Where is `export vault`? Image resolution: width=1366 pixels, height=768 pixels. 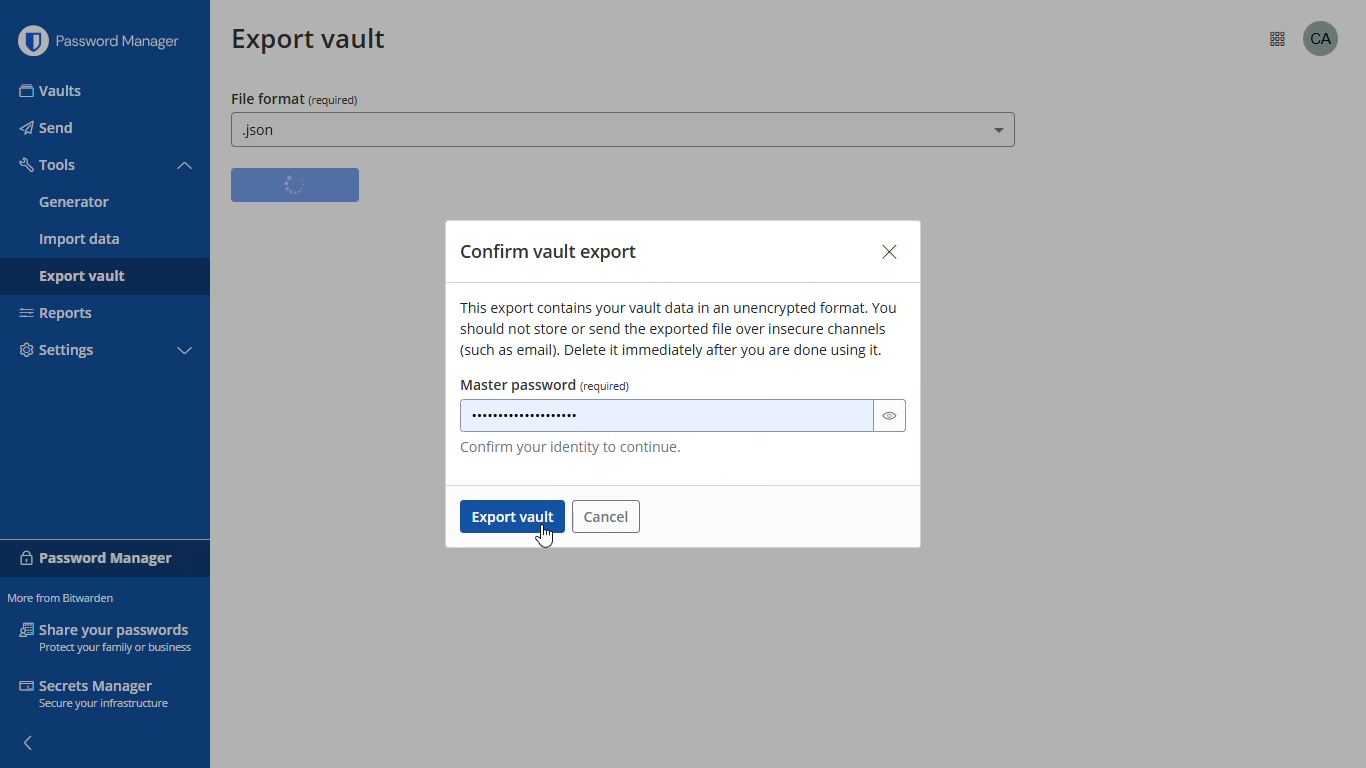
export vault is located at coordinates (312, 41).